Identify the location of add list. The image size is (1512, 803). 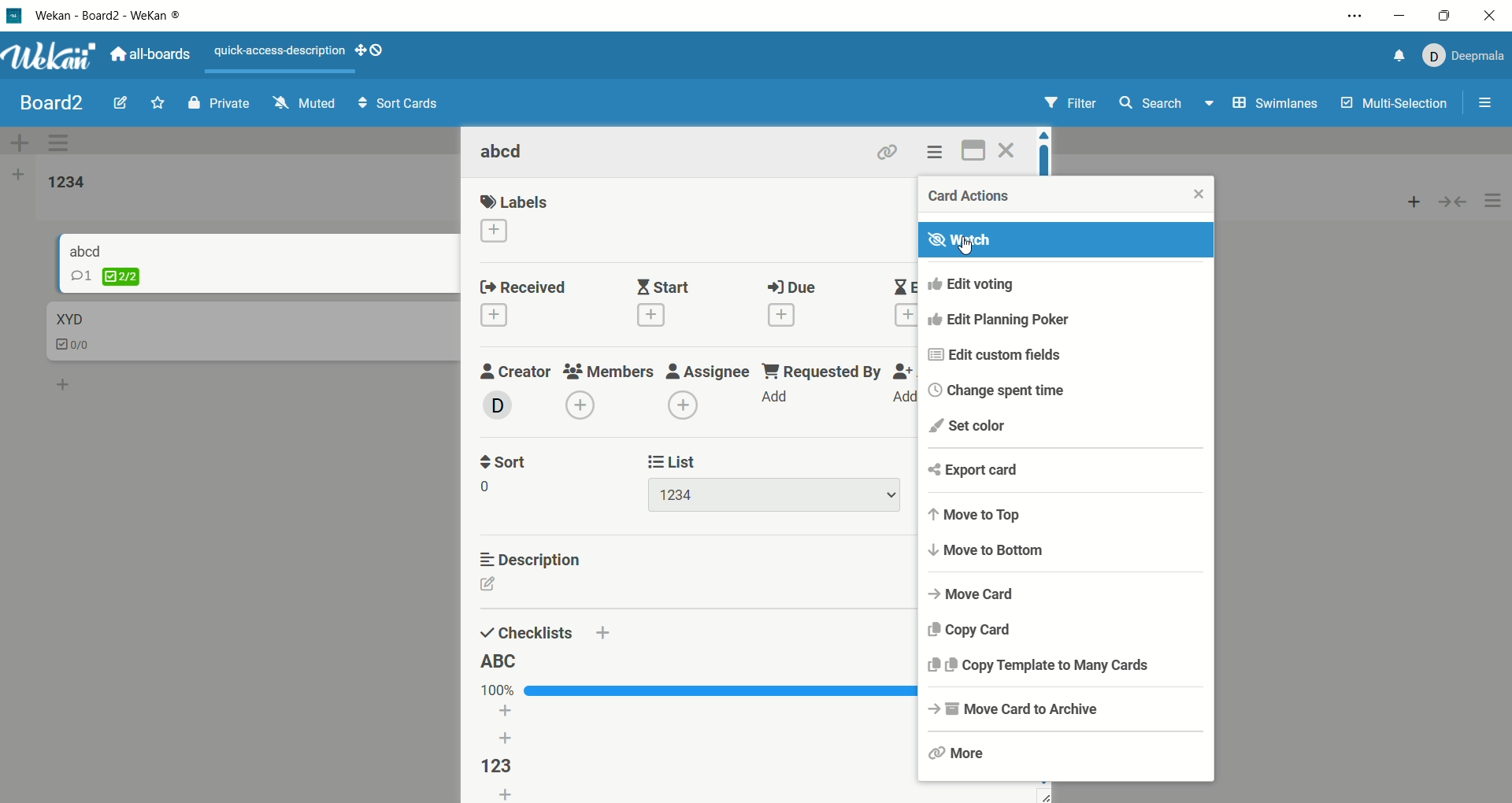
(508, 727).